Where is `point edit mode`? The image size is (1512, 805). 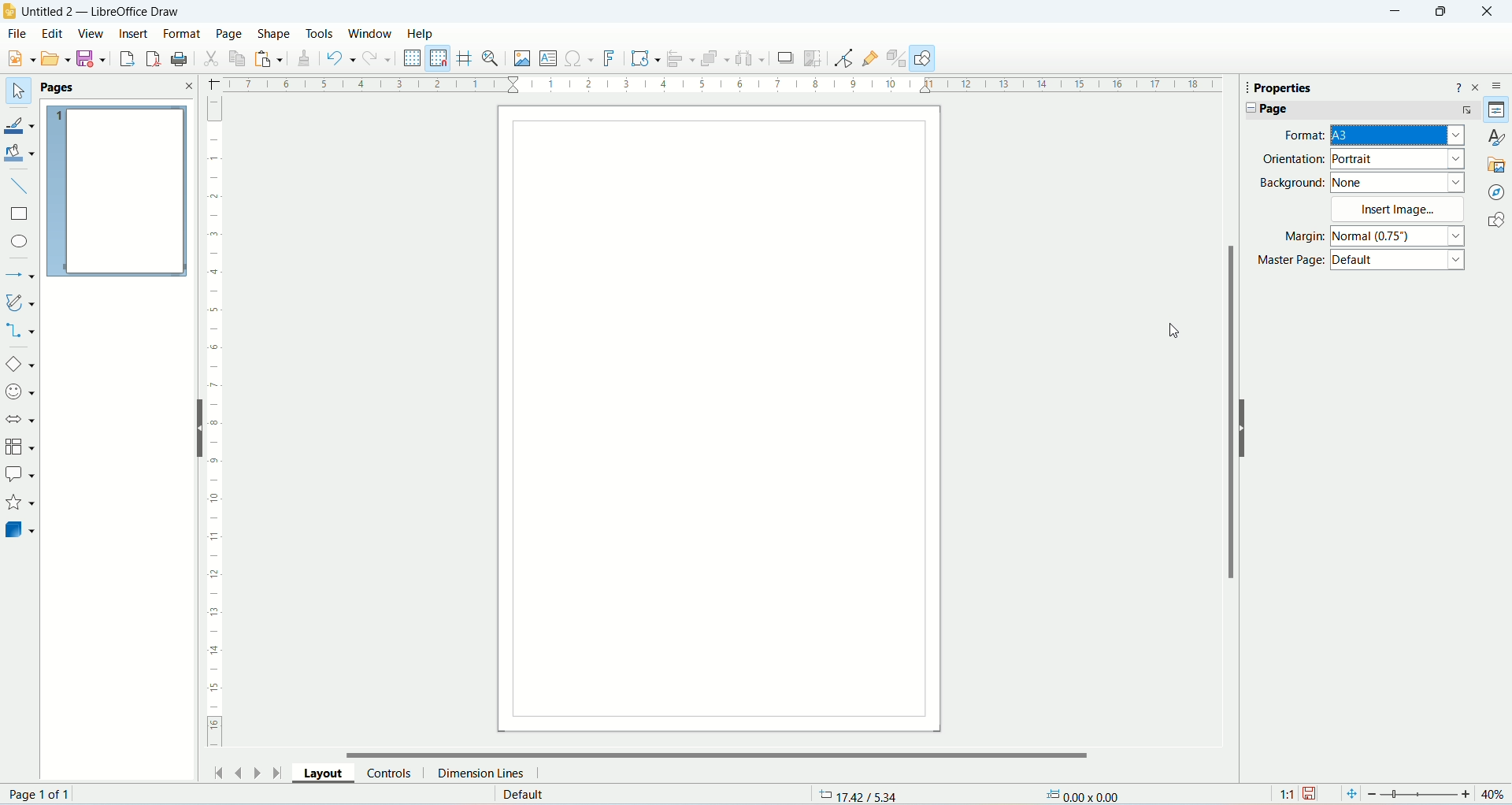 point edit mode is located at coordinates (846, 60).